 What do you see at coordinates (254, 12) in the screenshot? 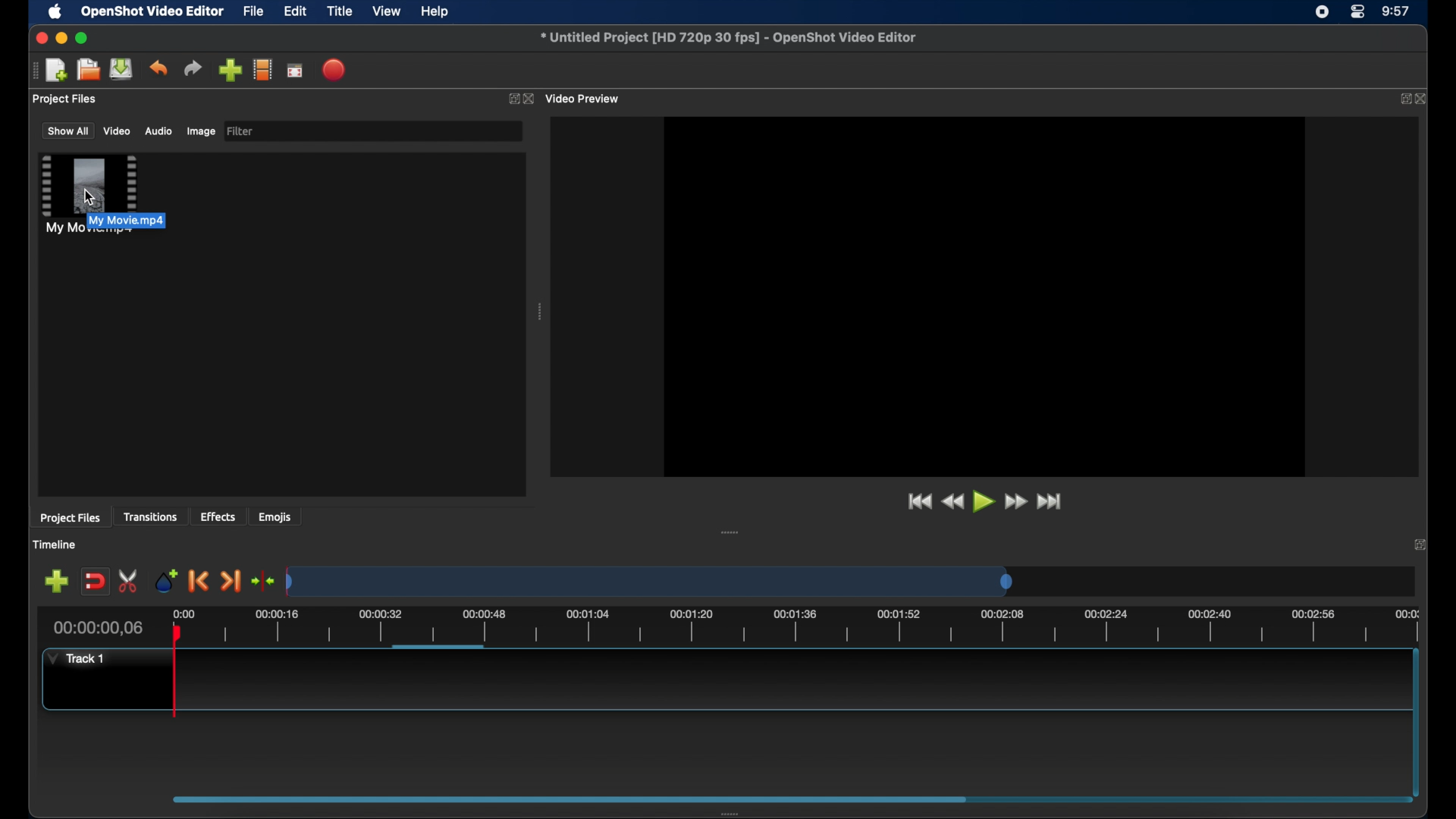
I see `file` at bounding box center [254, 12].